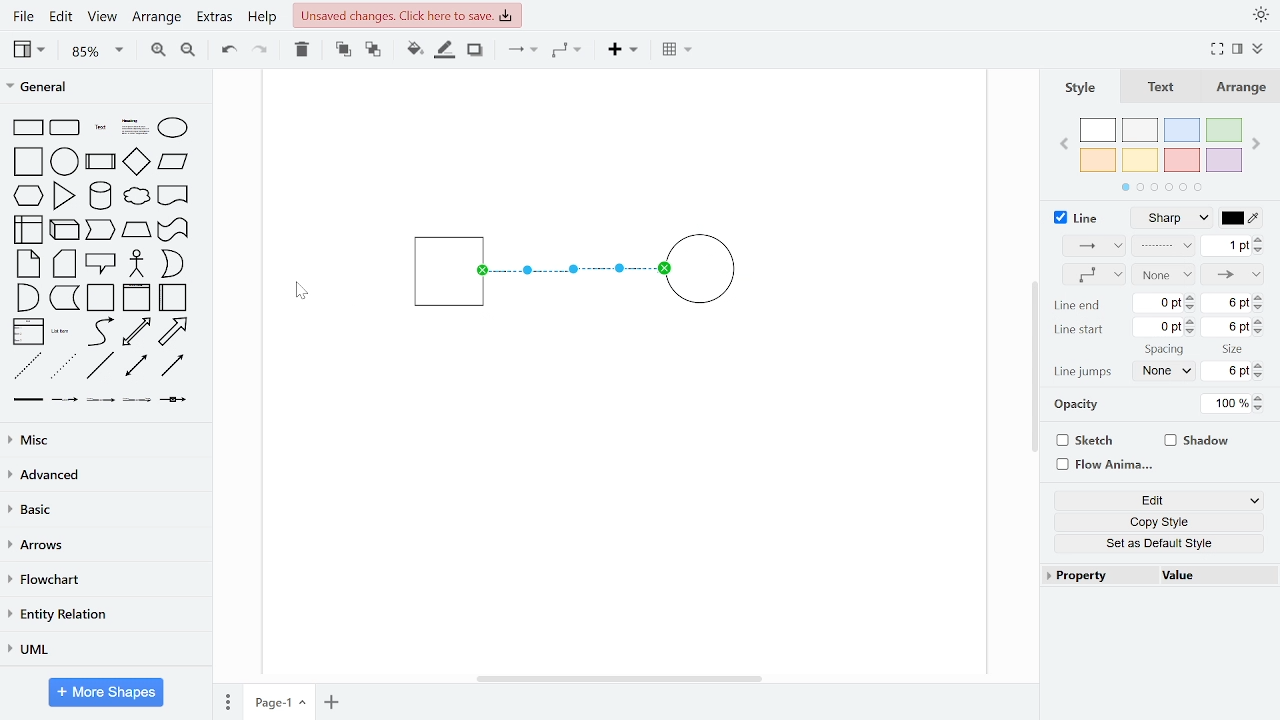  I want to click on list item, so click(61, 331).